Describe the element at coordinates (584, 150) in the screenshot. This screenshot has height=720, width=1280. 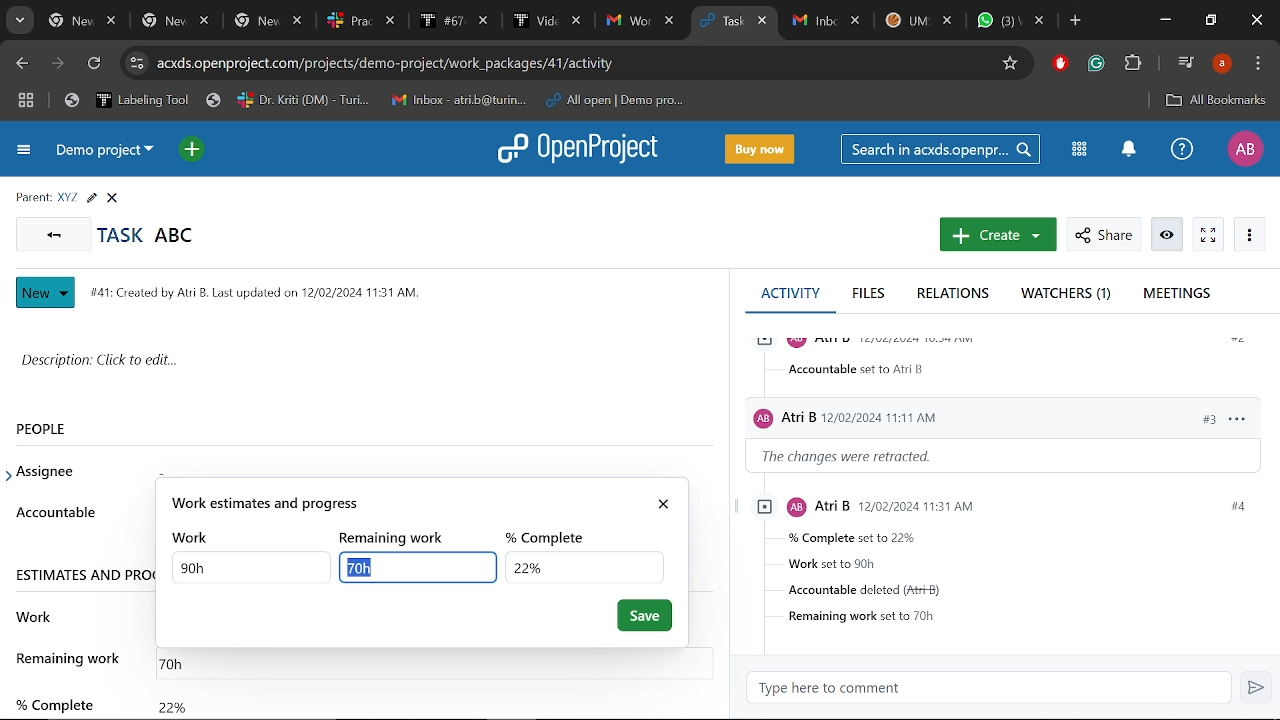
I see `Open project logo` at that location.